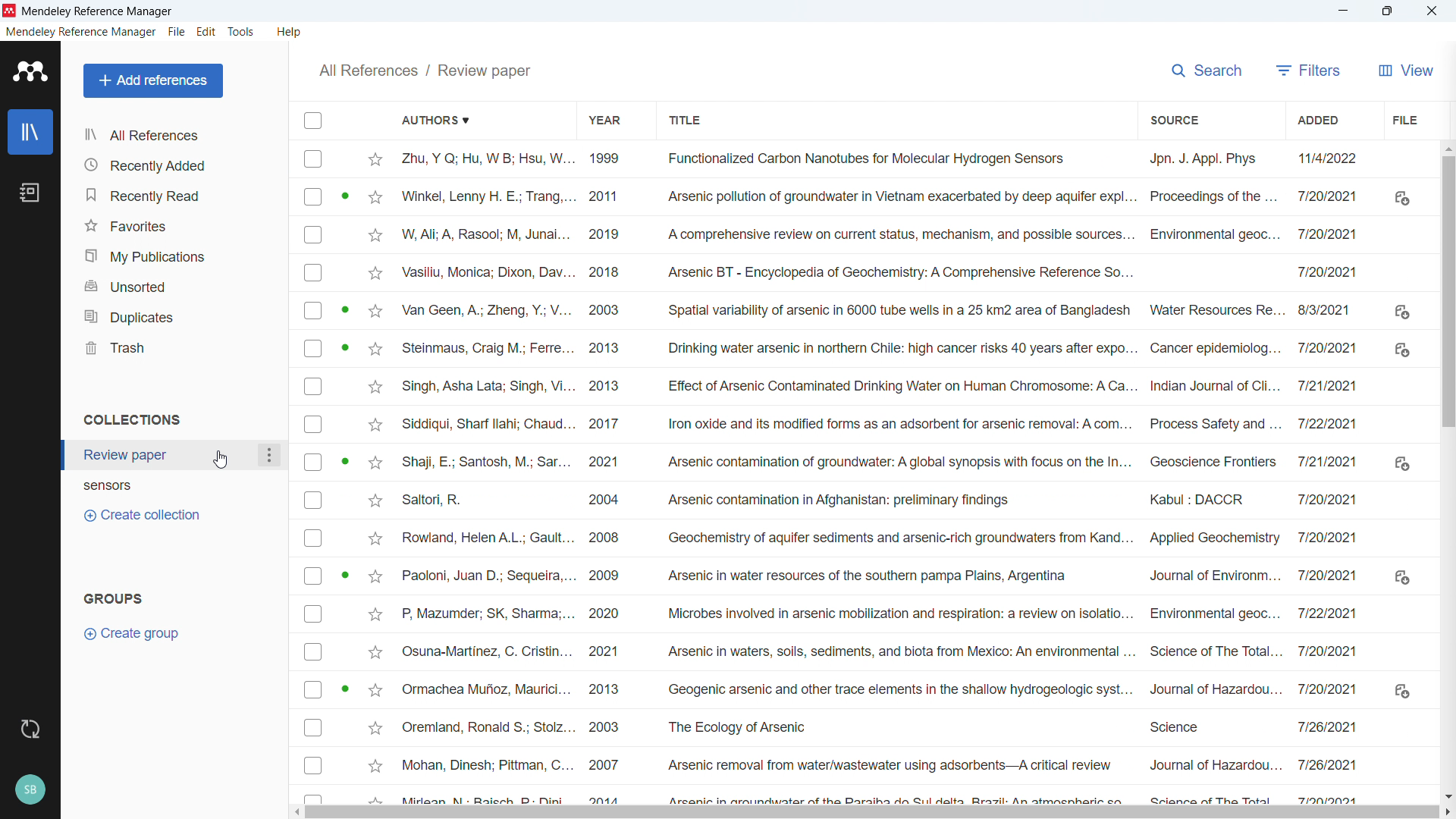 The image size is (1456, 819). Describe the element at coordinates (873, 813) in the screenshot. I see `Horizontal scroll bar ` at that location.